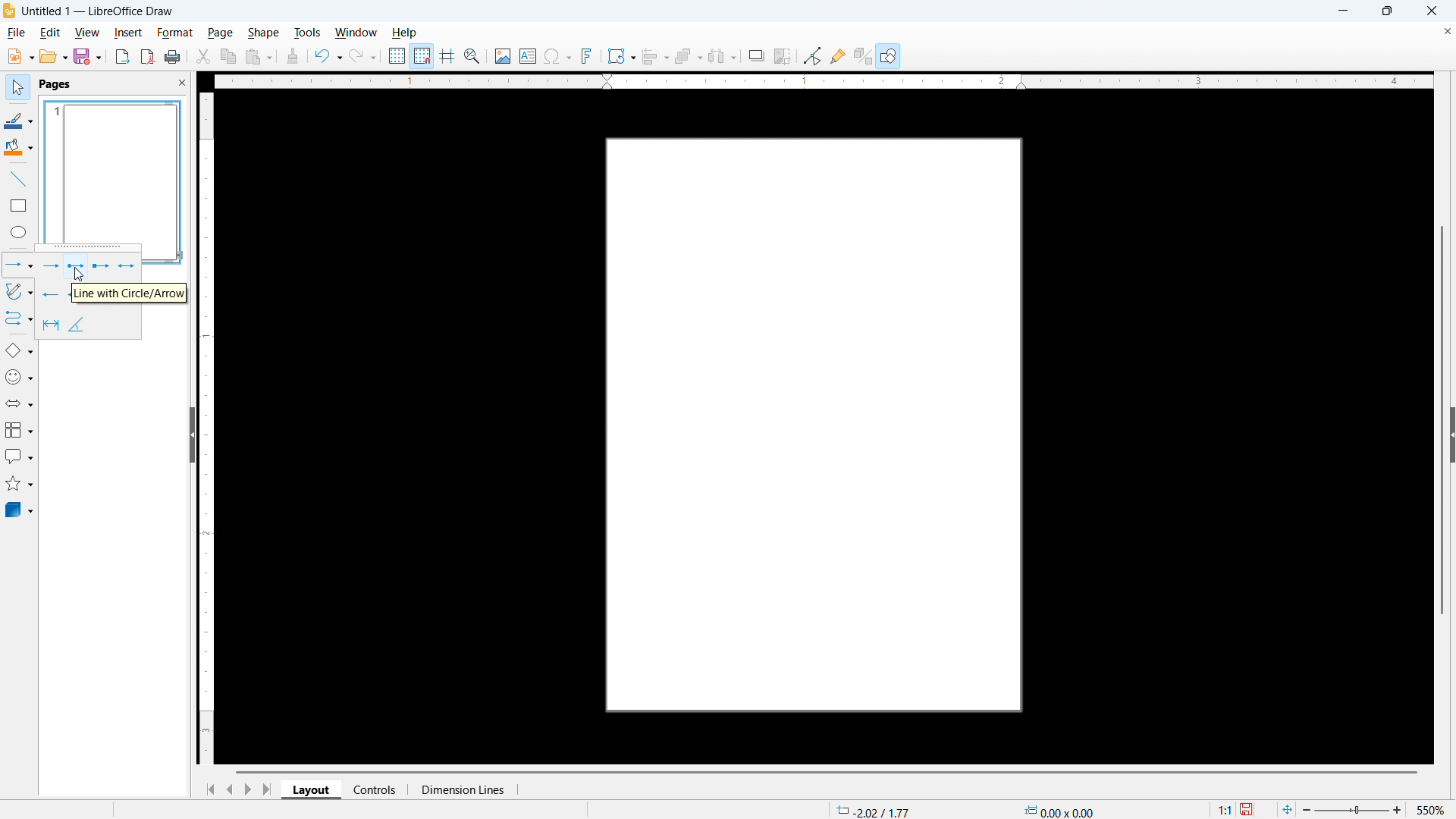 This screenshot has height=819, width=1456. I want to click on Insert font work text , so click(587, 55).